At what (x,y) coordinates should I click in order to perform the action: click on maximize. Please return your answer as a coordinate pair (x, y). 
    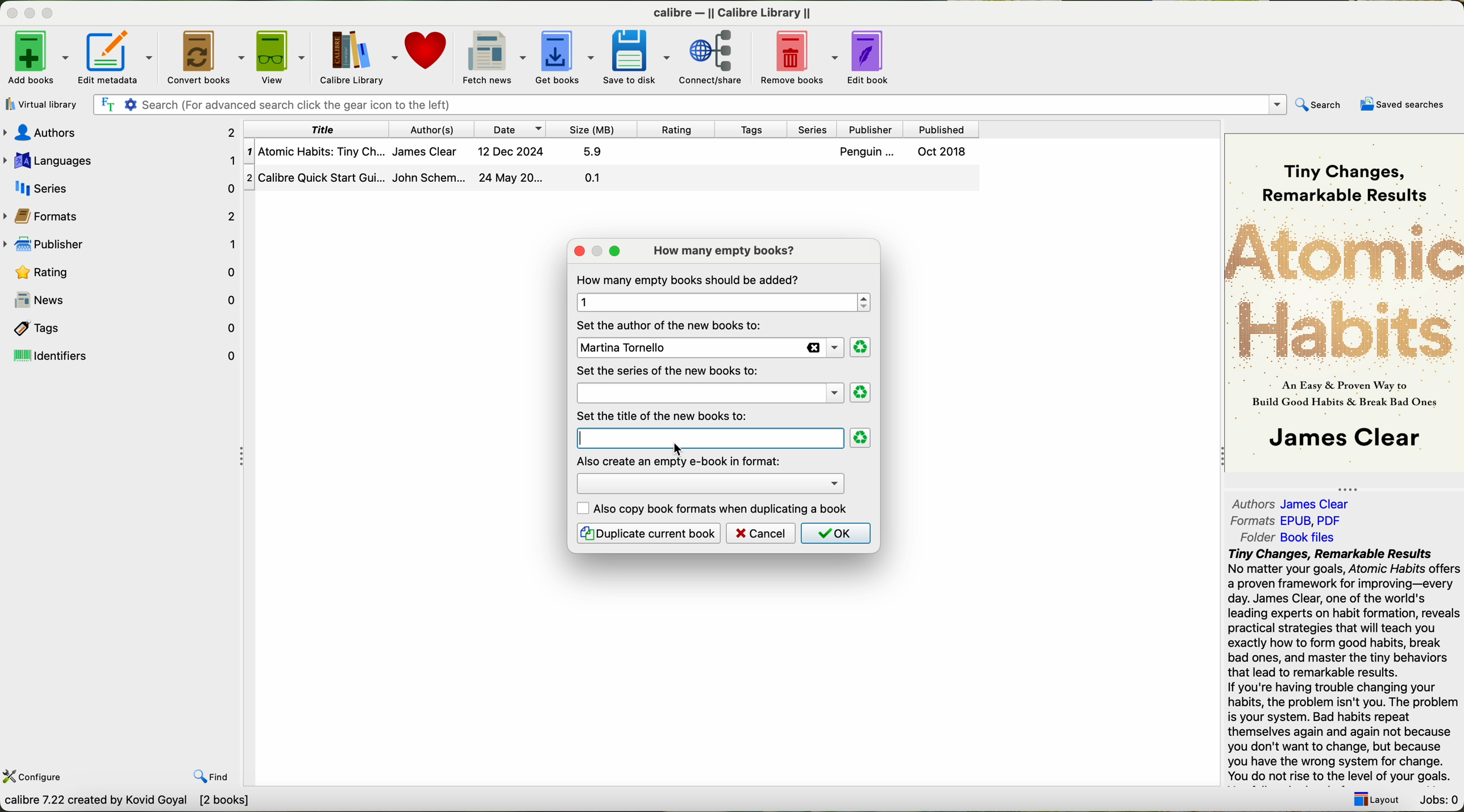
    Looking at the image, I should click on (615, 252).